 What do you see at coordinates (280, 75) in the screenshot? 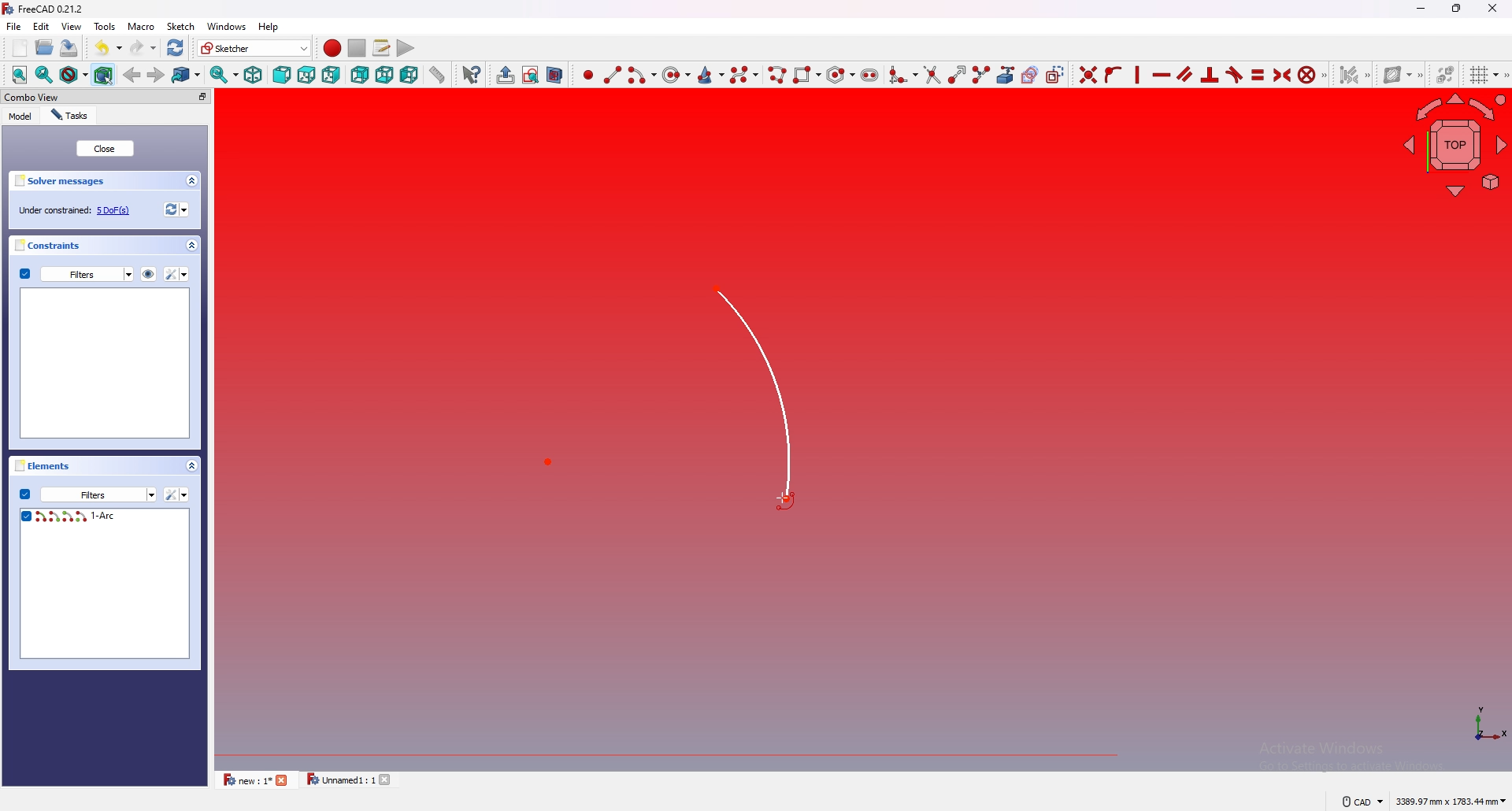
I see `front` at bounding box center [280, 75].